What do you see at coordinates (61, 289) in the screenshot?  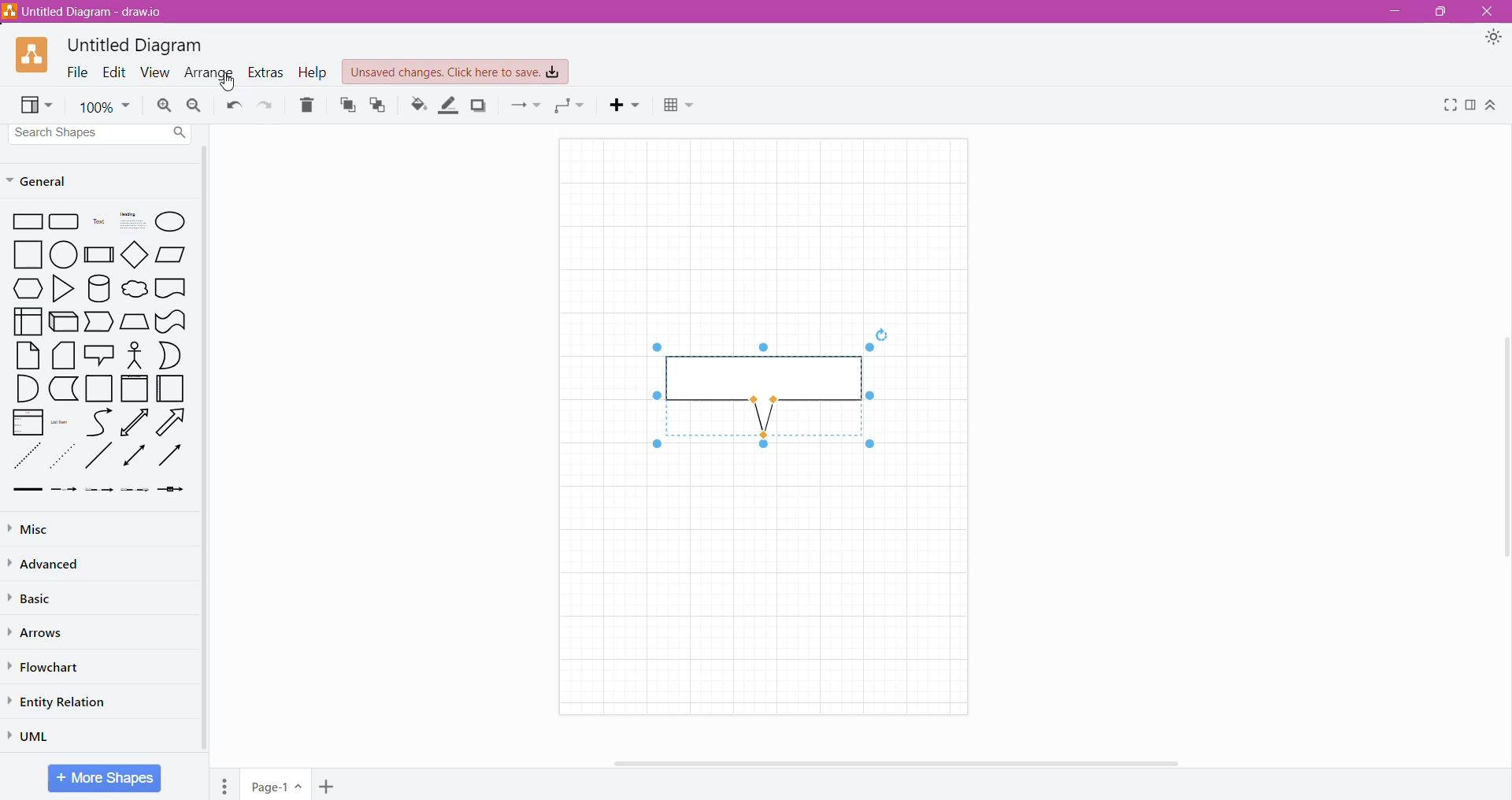 I see `triangle` at bounding box center [61, 289].